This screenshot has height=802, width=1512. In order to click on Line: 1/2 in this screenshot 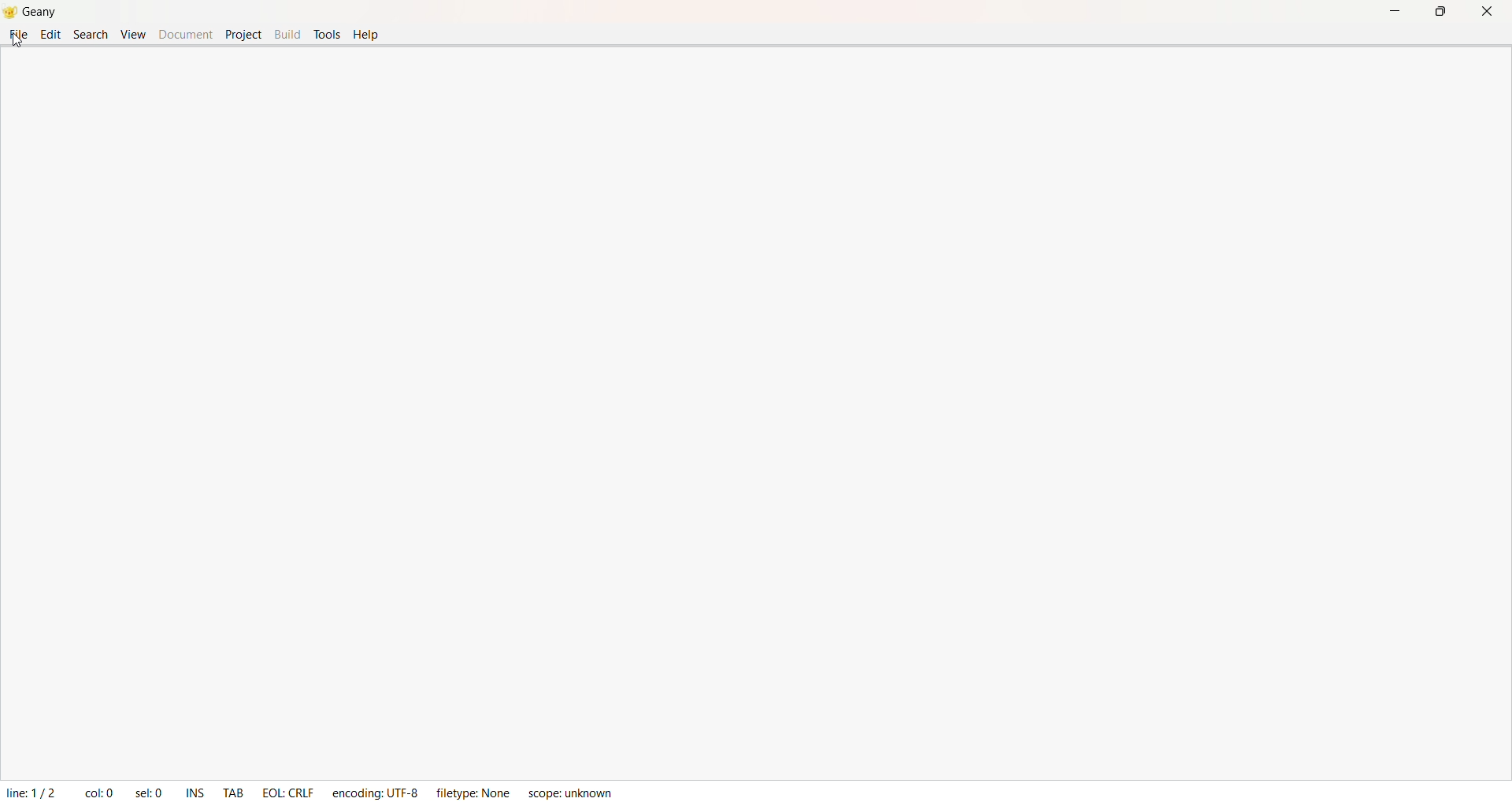, I will do `click(31, 793)`.